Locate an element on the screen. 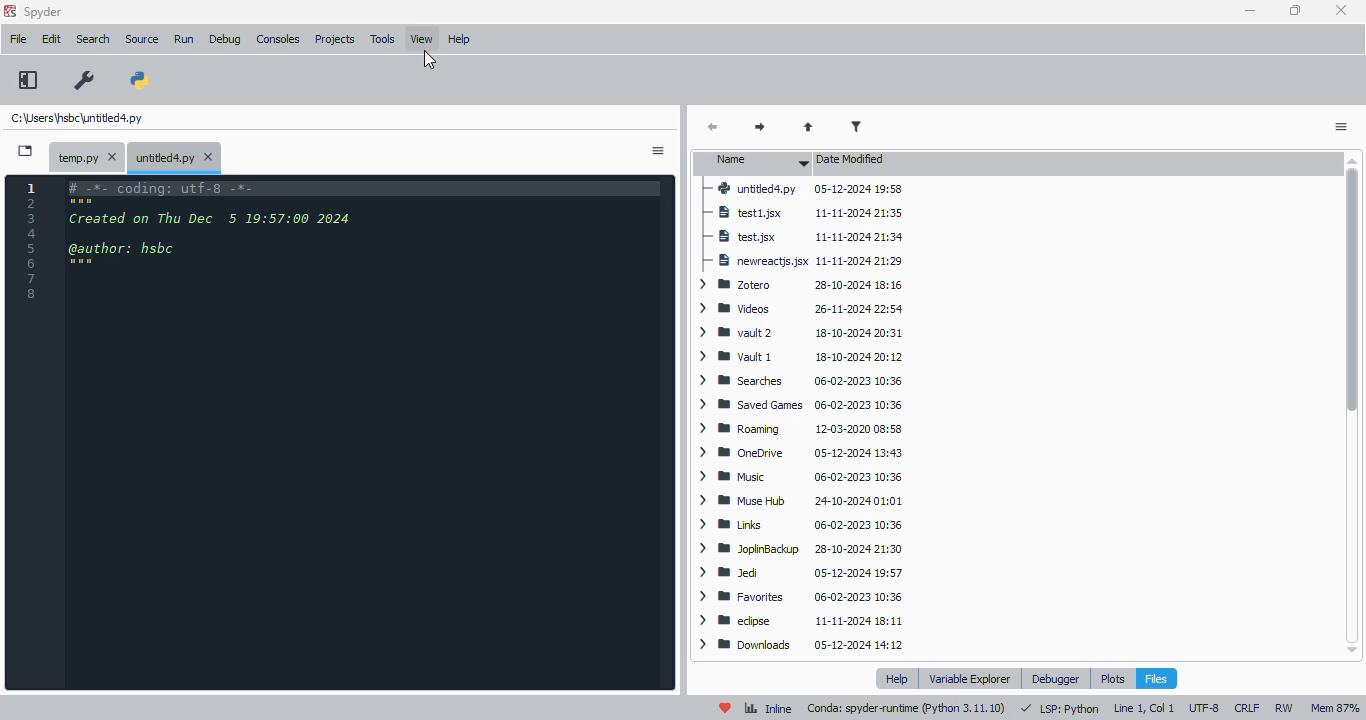 The image size is (1366, 720). run is located at coordinates (184, 39).